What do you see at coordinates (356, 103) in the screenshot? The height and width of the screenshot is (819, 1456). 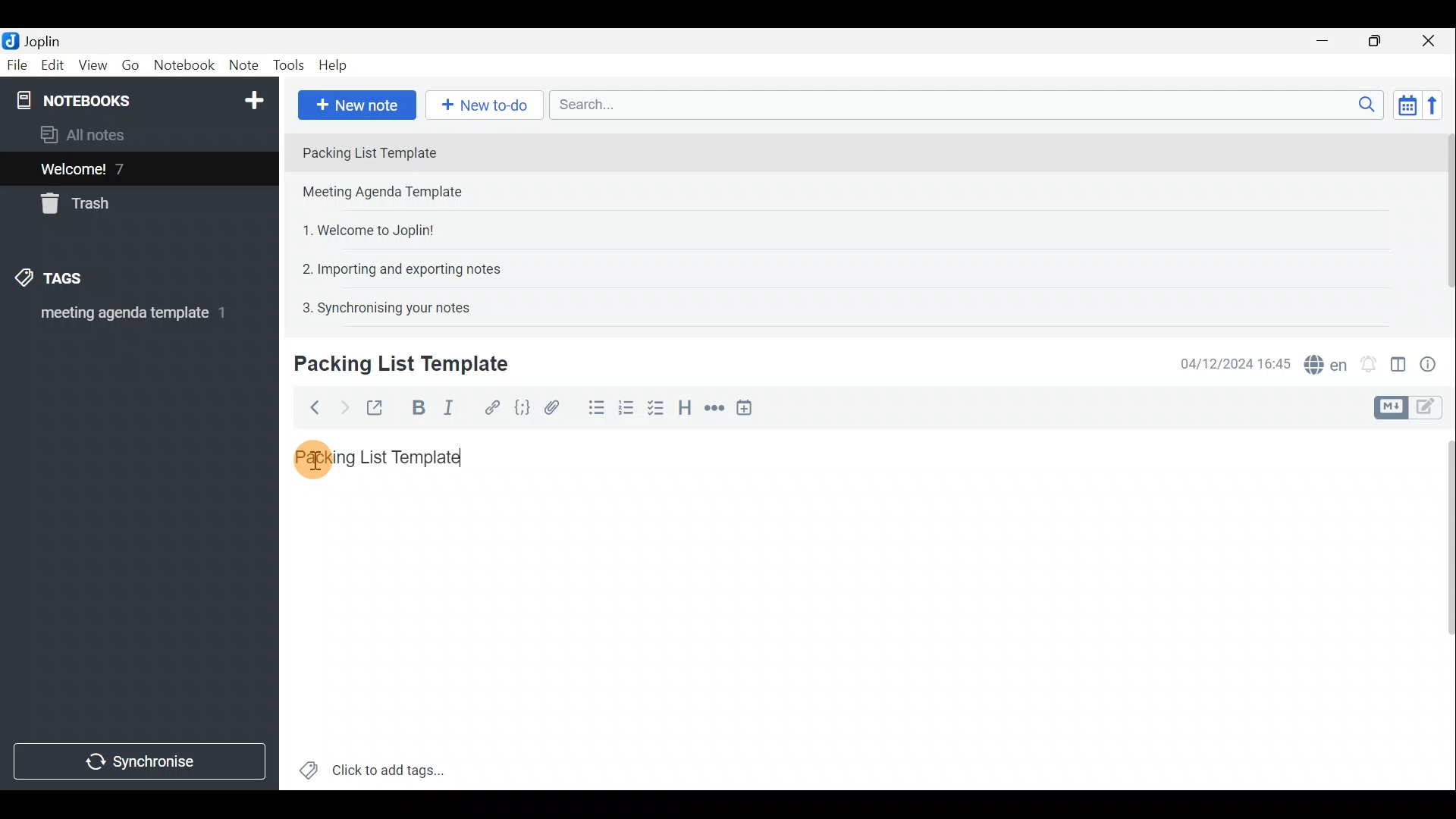 I see `New note` at bounding box center [356, 103].